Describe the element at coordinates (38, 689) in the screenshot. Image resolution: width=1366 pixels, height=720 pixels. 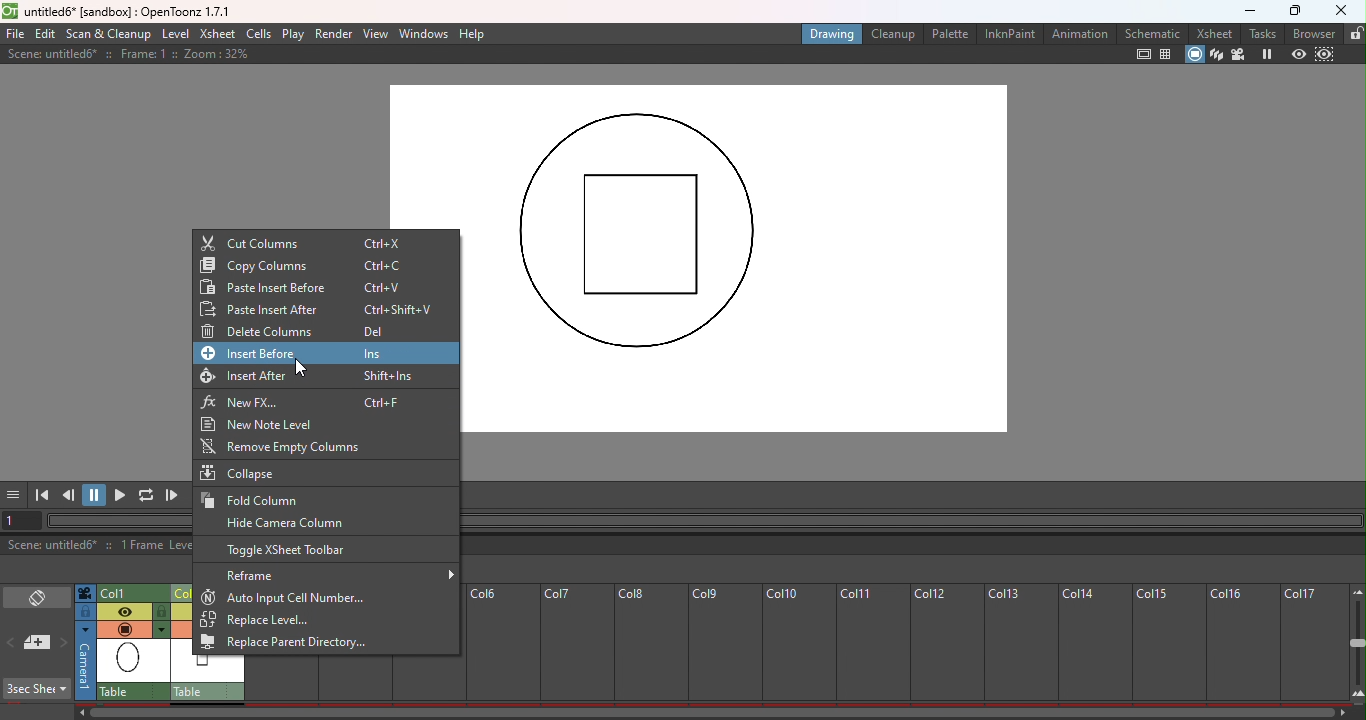
I see `3Sec sheet` at that location.